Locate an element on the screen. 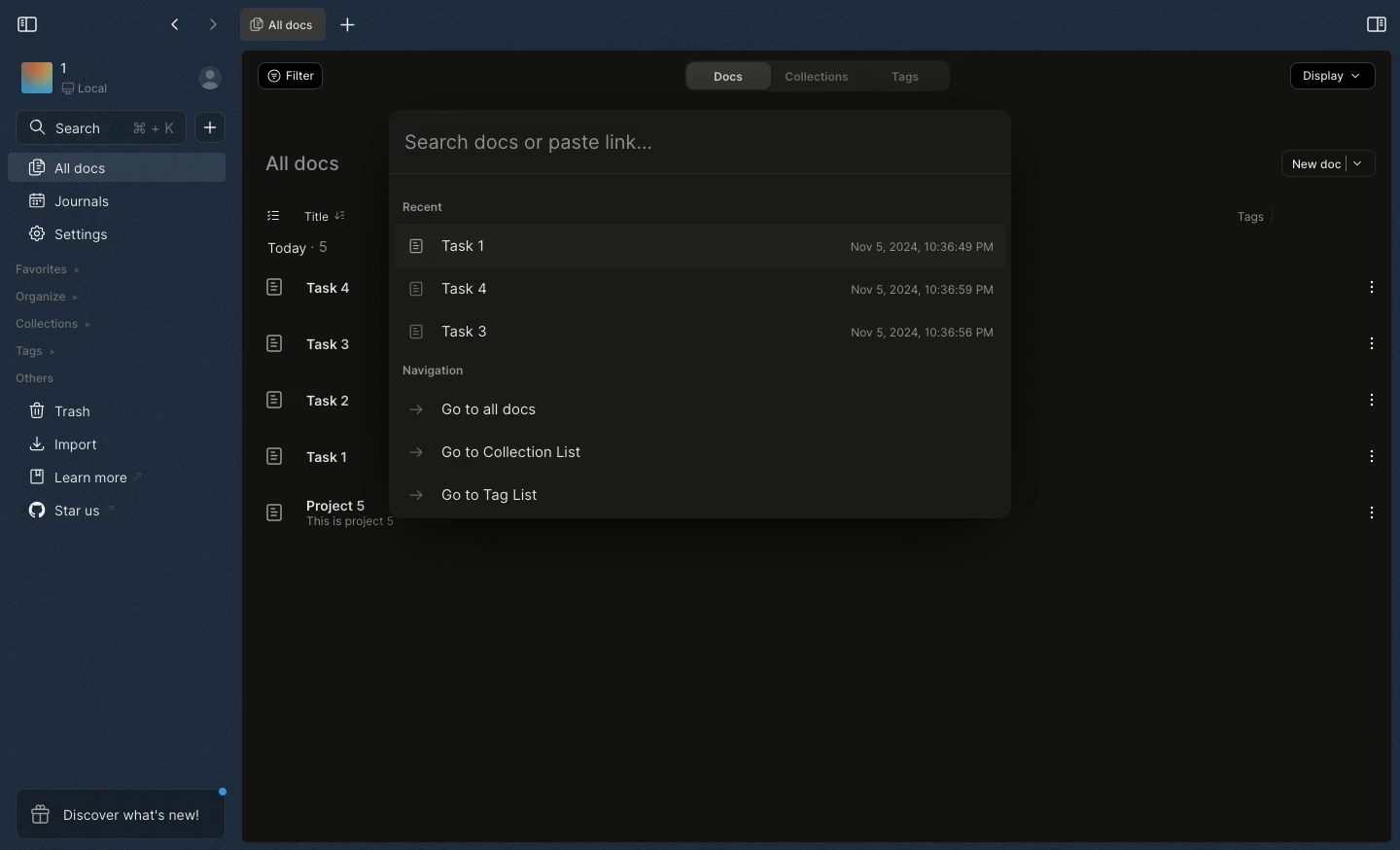 This screenshot has height=850, width=1400. List view is located at coordinates (274, 216).